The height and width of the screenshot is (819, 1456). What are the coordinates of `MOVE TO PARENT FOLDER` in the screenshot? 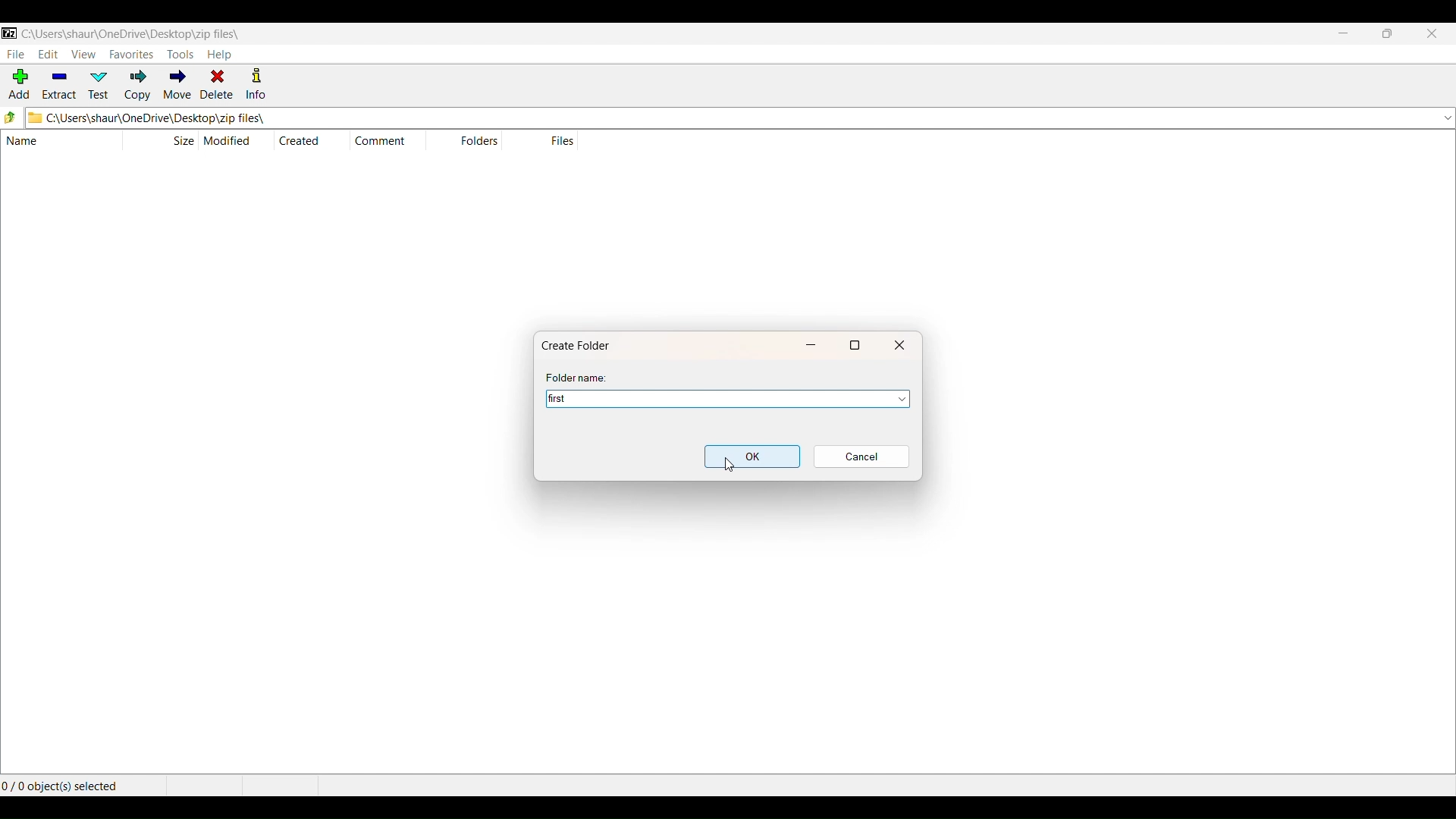 It's located at (11, 118).